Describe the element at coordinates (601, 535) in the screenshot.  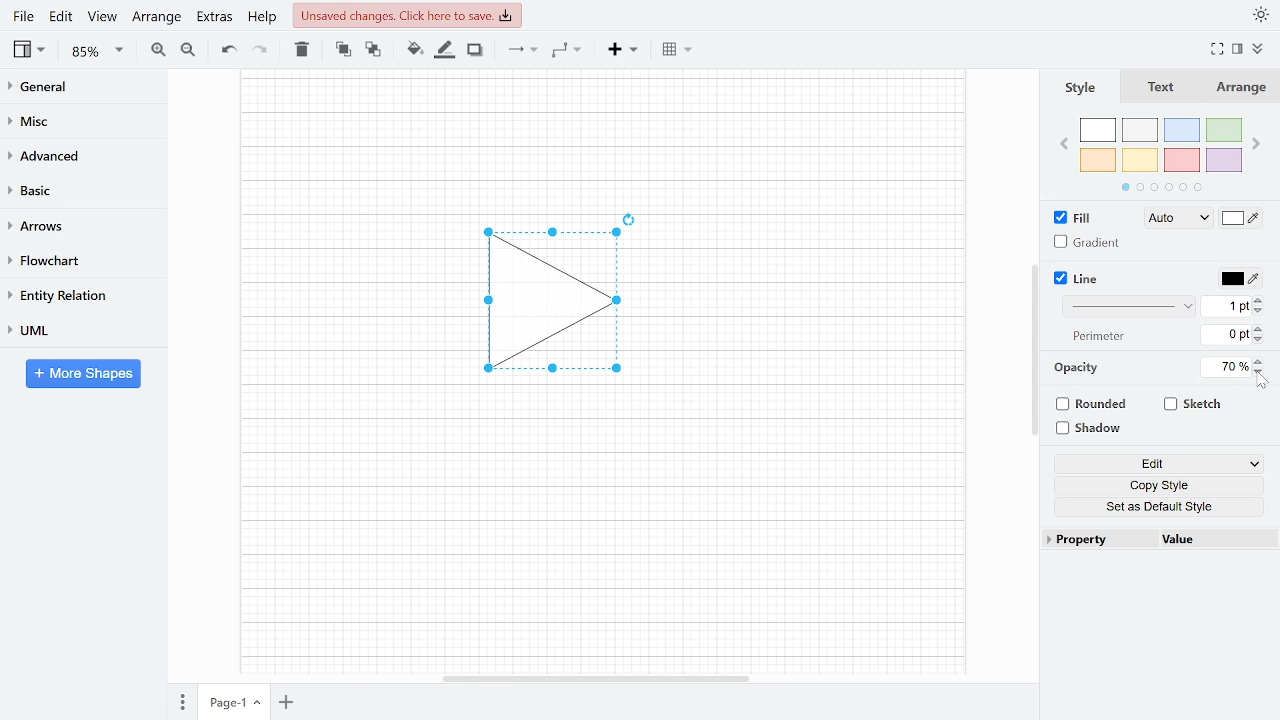
I see `workspace` at that location.